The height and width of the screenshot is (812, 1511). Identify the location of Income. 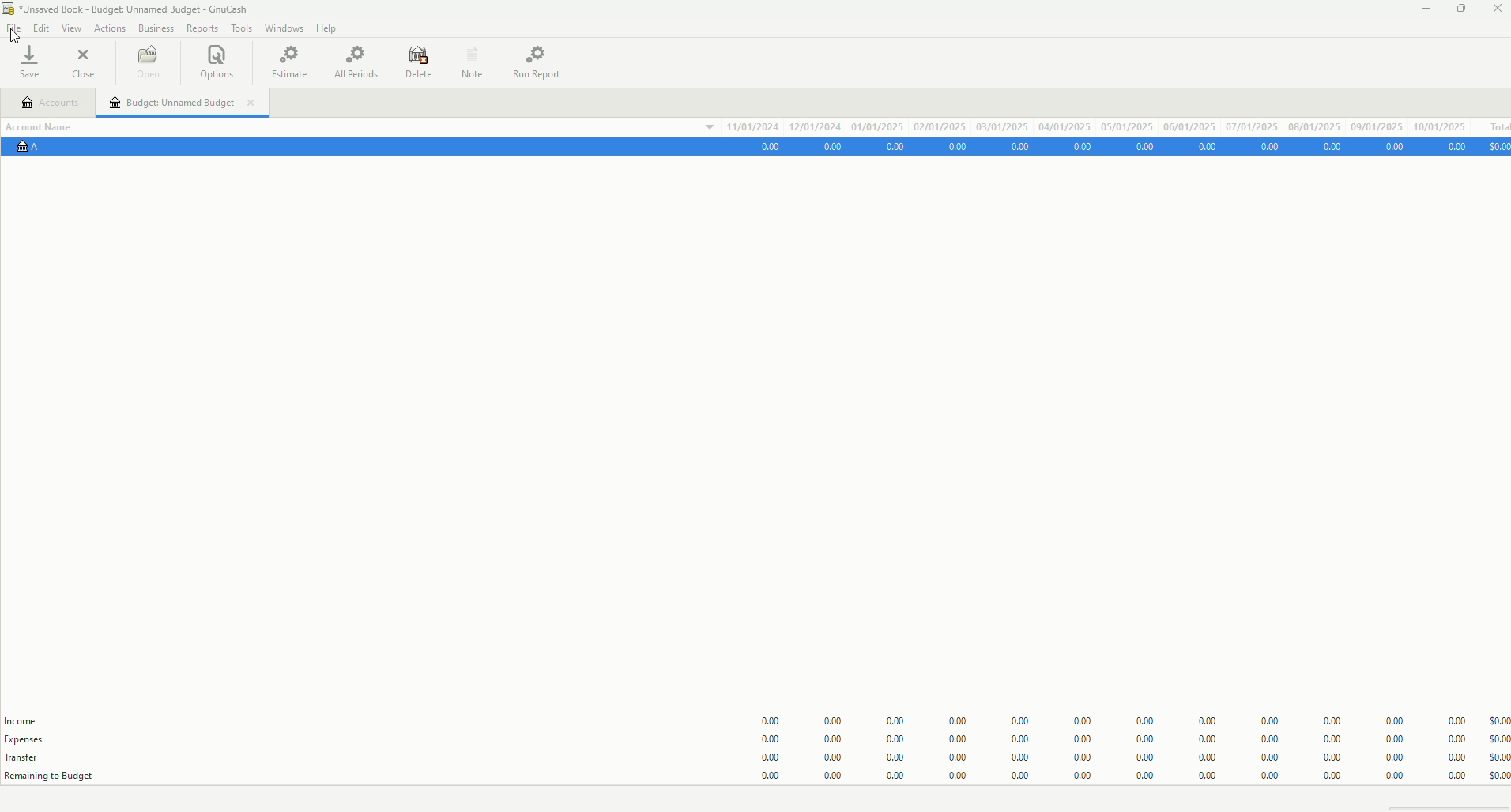
(21, 720).